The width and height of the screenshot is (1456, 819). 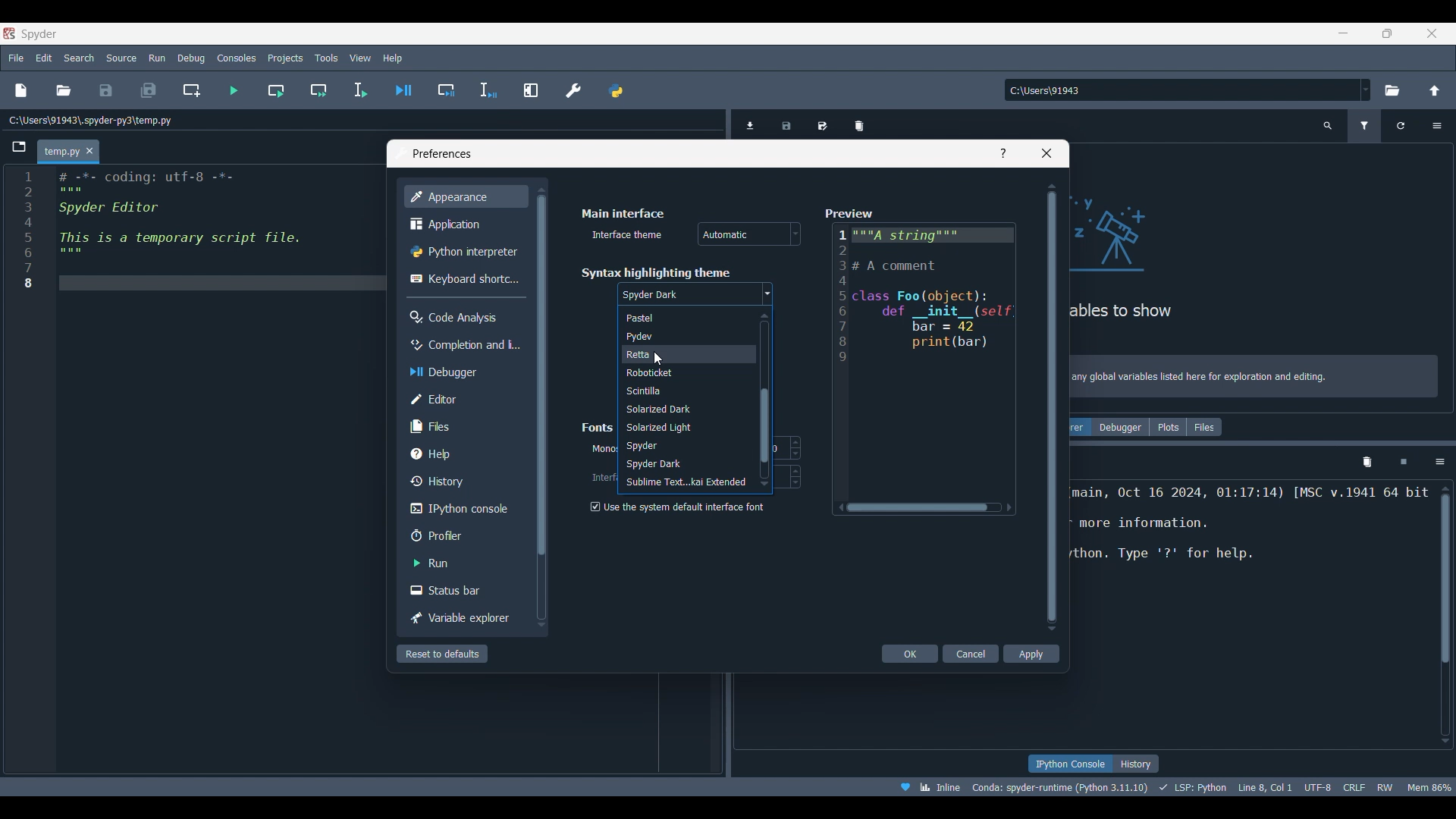 I want to click on pastel, so click(x=682, y=319).